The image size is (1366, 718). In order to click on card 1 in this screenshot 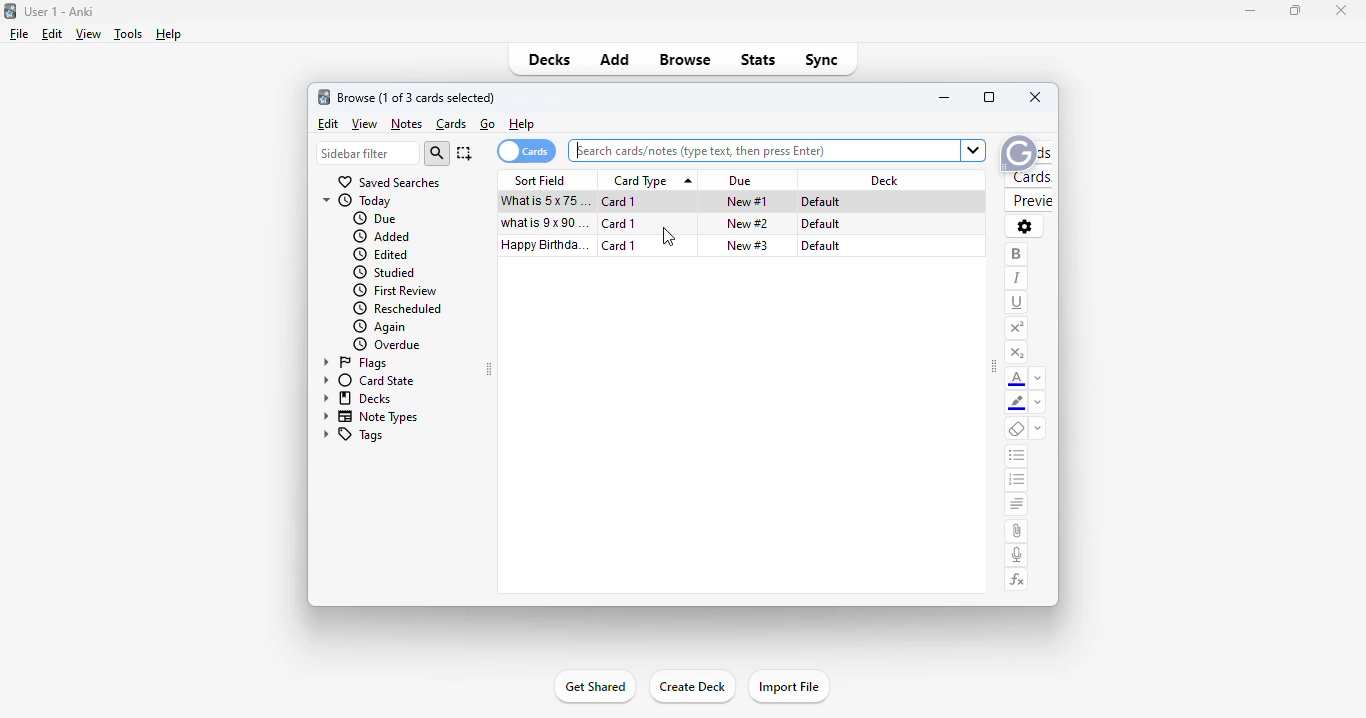, I will do `click(619, 246)`.